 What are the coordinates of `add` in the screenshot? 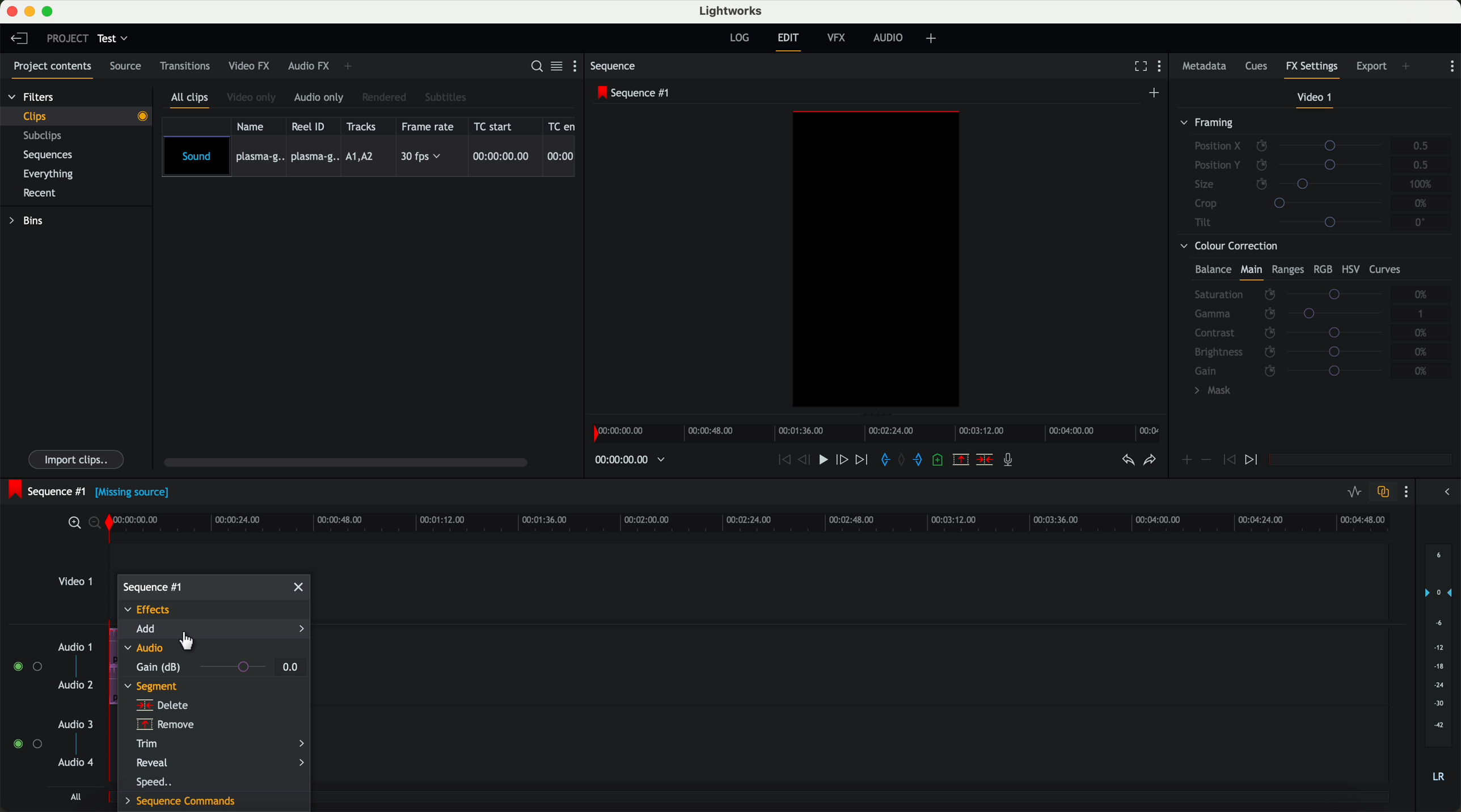 It's located at (933, 39).